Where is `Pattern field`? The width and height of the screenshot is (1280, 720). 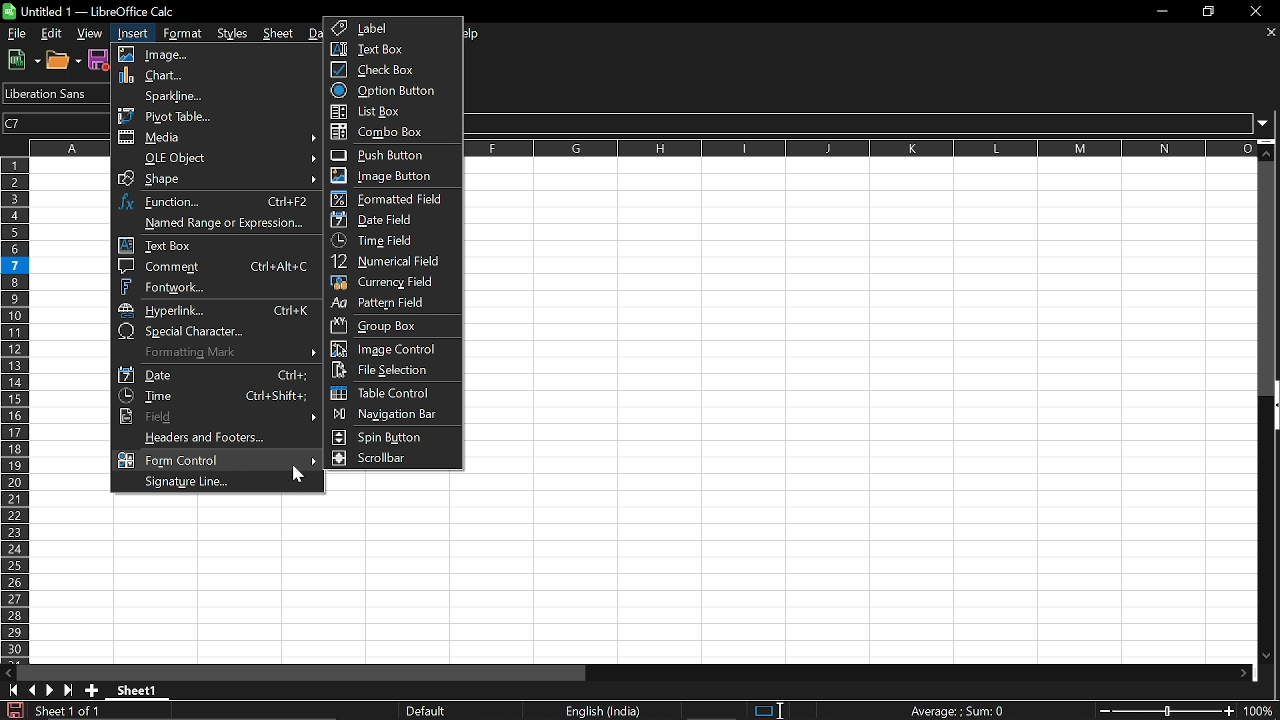 Pattern field is located at coordinates (393, 304).